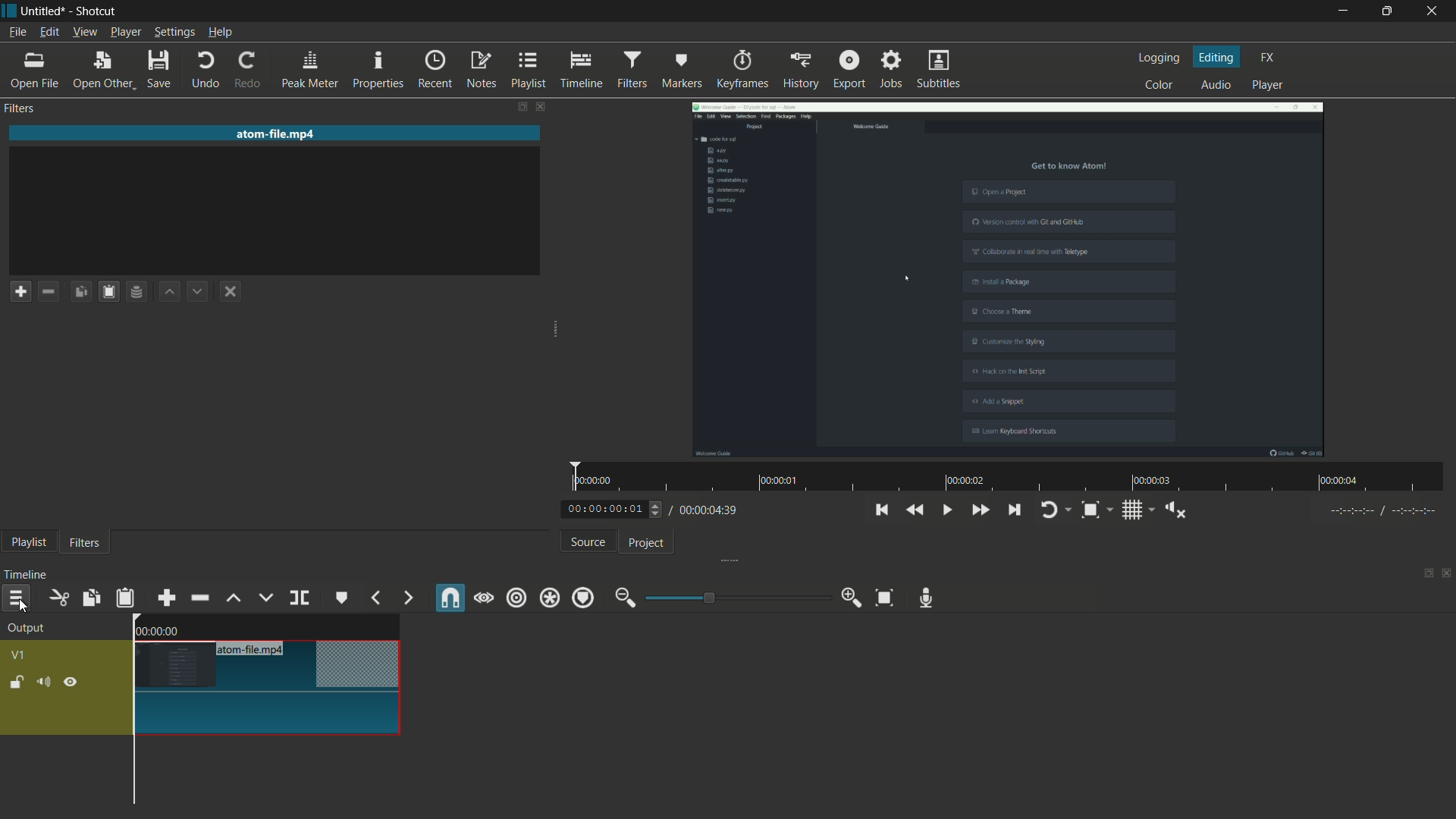 The width and height of the screenshot is (1456, 819). What do you see at coordinates (166, 598) in the screenshot?
I see `append` at bounding box center [166, 598].